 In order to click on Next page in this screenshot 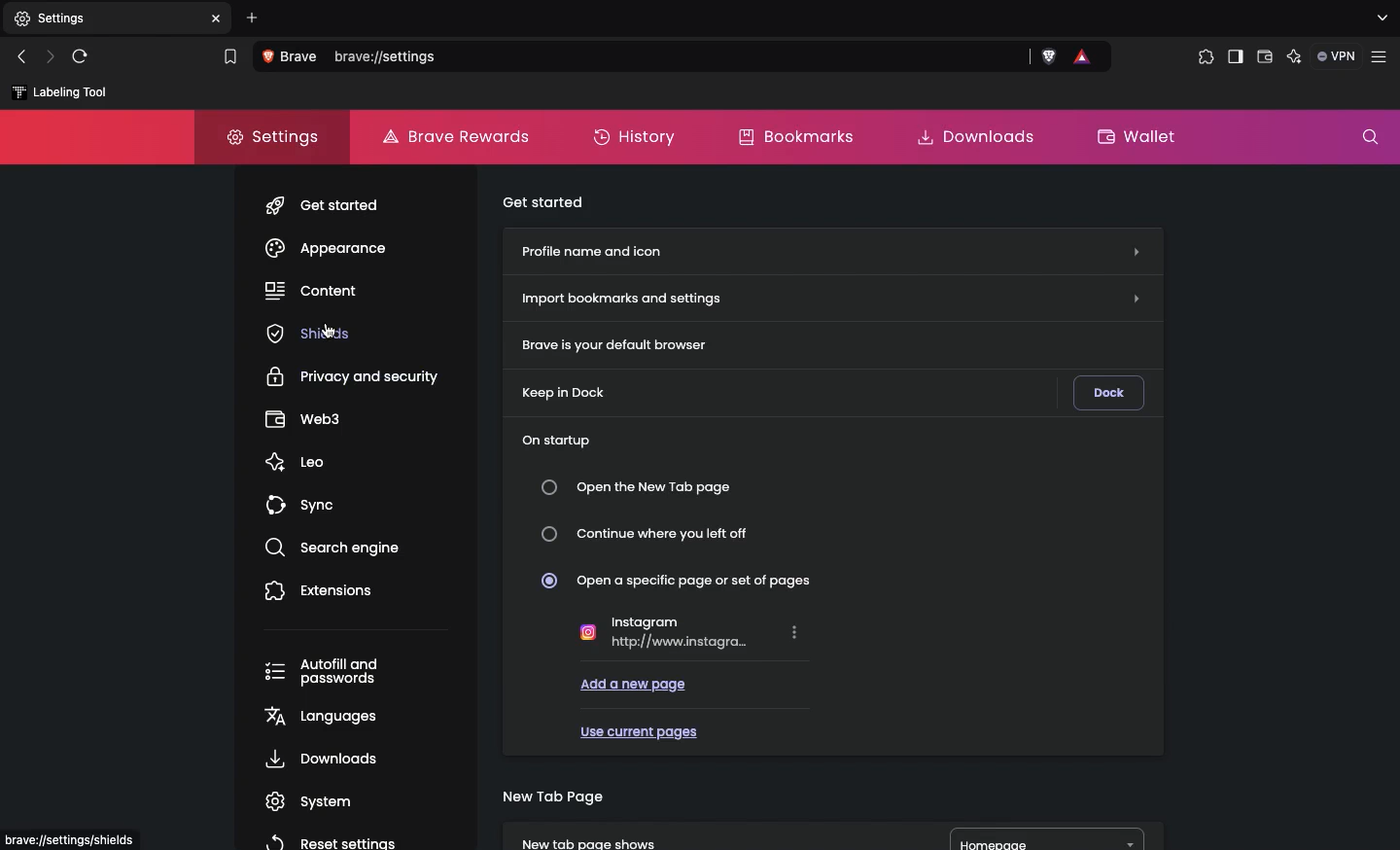, I will do `click(49, 57)`.